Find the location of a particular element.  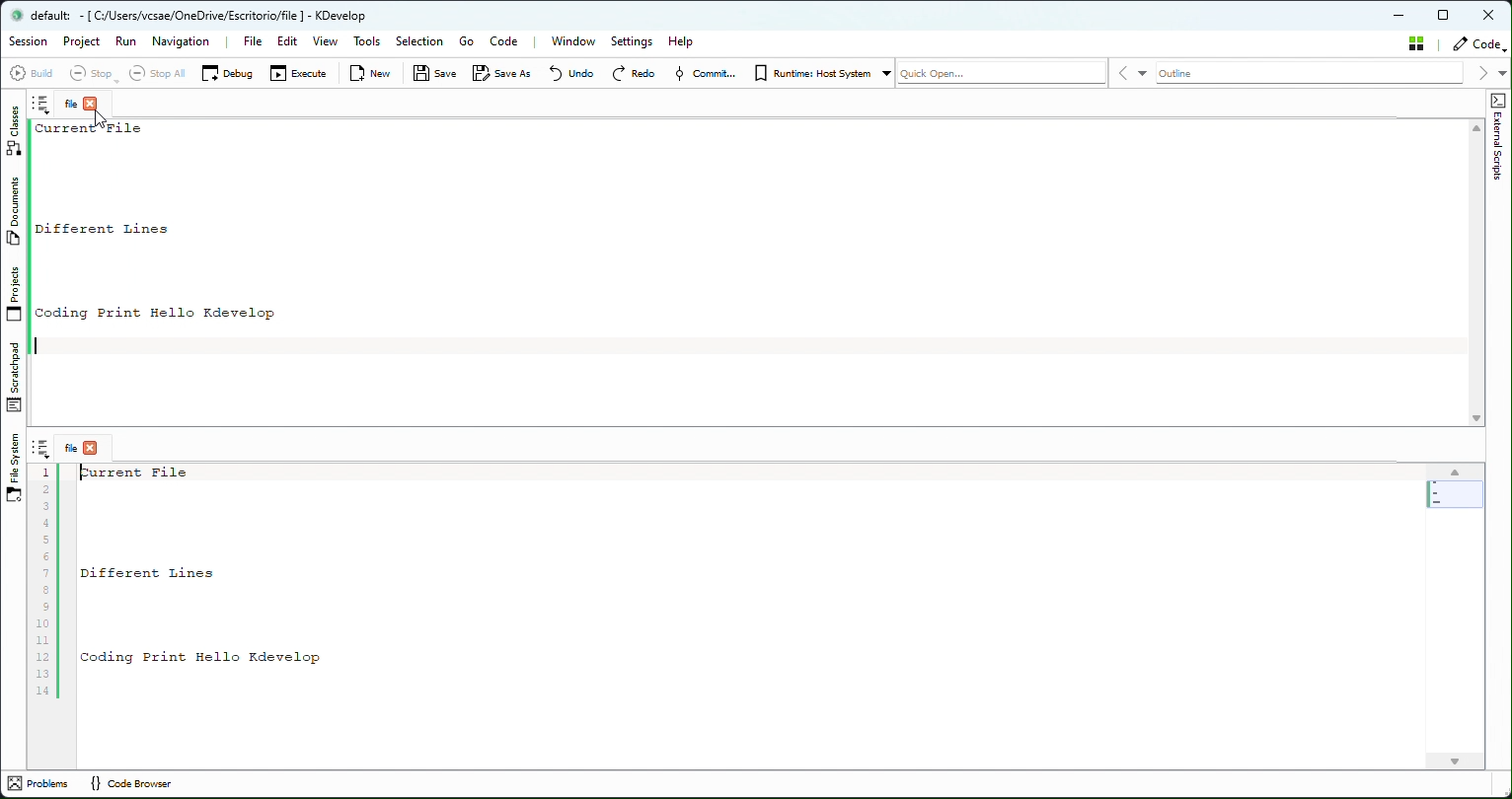

Debug is located at coordinates (228, 74).